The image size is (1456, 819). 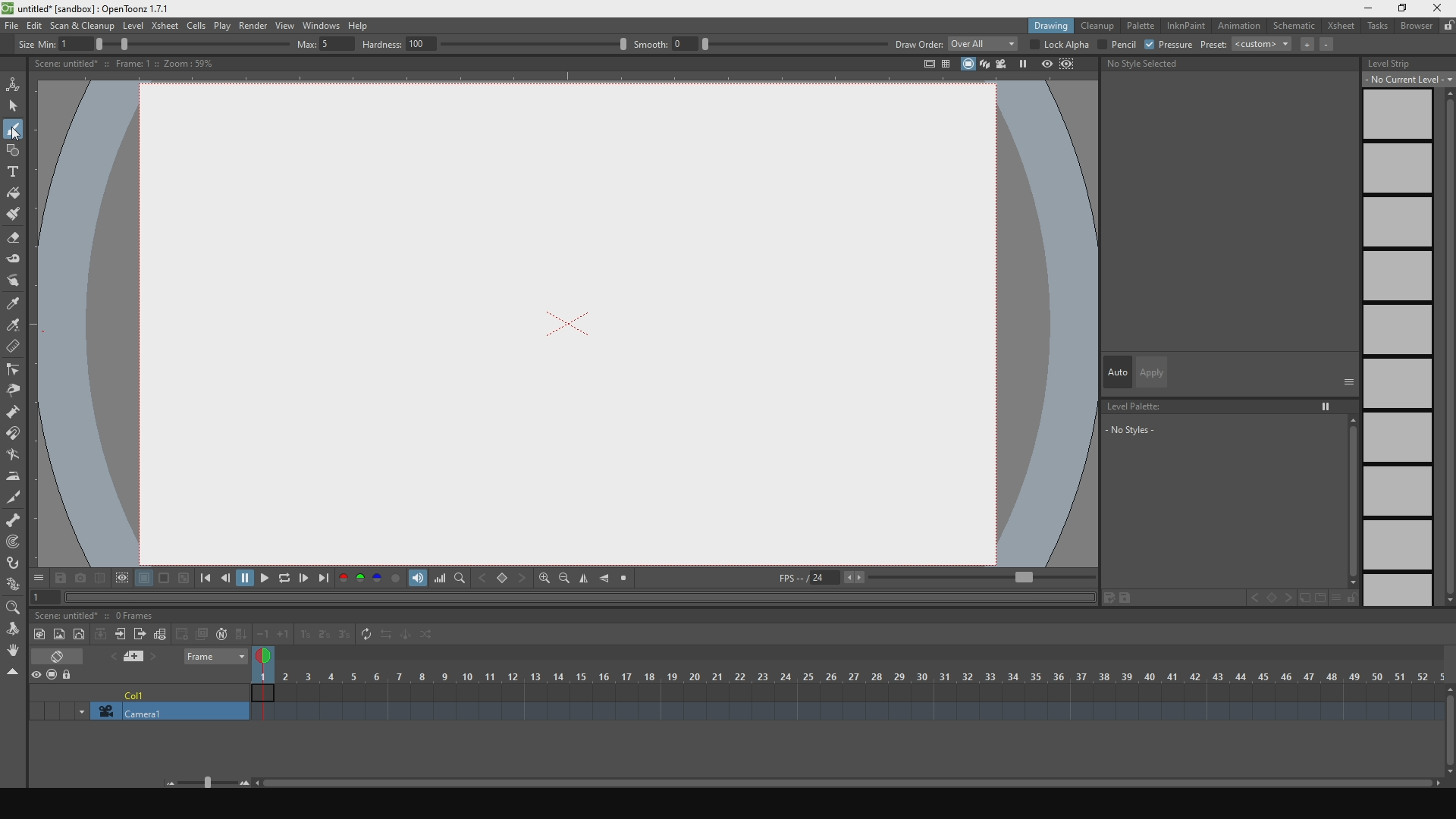 I want to click on move, so click(x=17, y=282).